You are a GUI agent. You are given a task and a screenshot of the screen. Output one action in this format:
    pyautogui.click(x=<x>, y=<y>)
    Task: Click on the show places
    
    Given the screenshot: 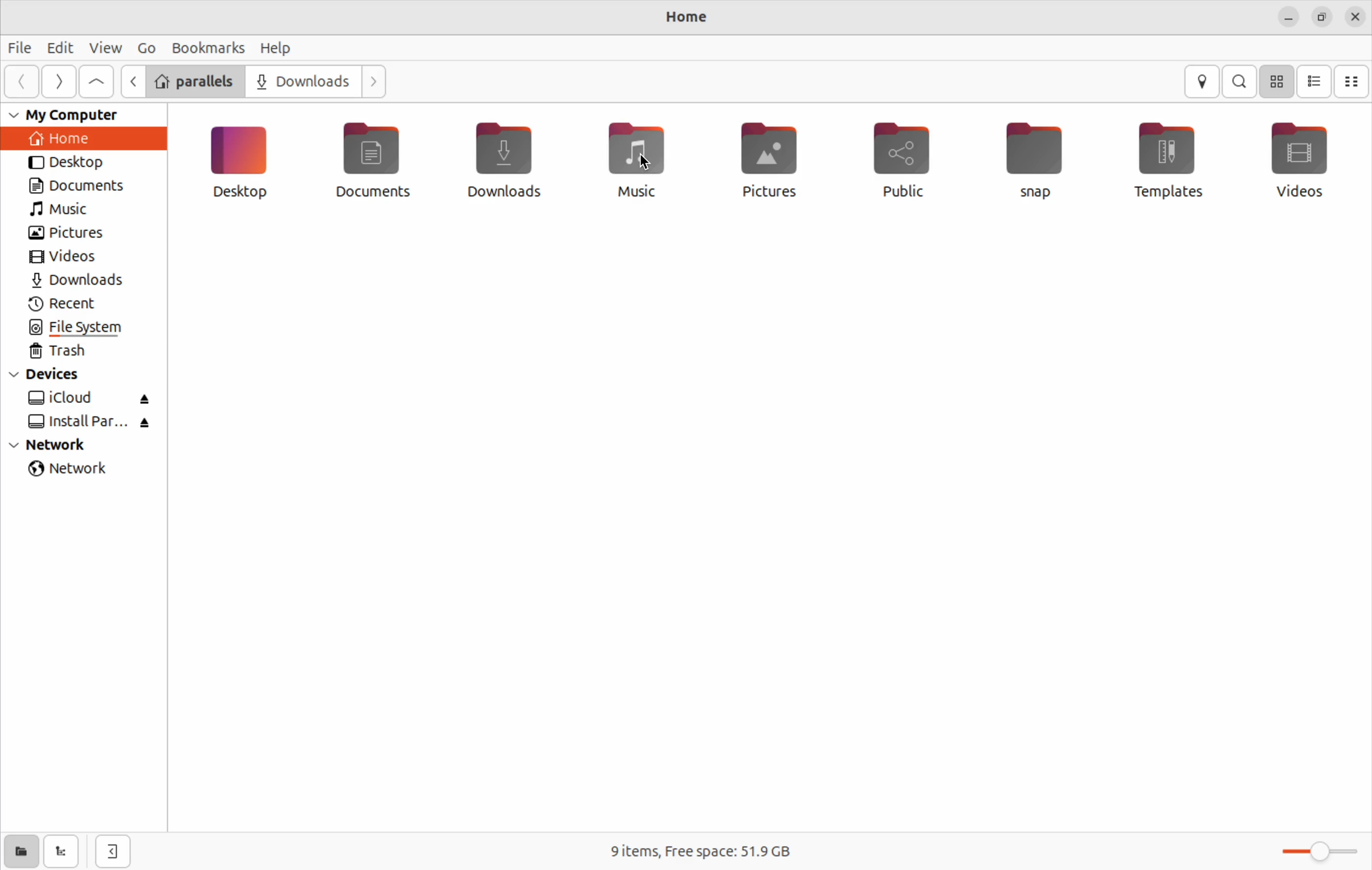 What is the action you would take?
    pyautogui.click(x=18, y=851)
    